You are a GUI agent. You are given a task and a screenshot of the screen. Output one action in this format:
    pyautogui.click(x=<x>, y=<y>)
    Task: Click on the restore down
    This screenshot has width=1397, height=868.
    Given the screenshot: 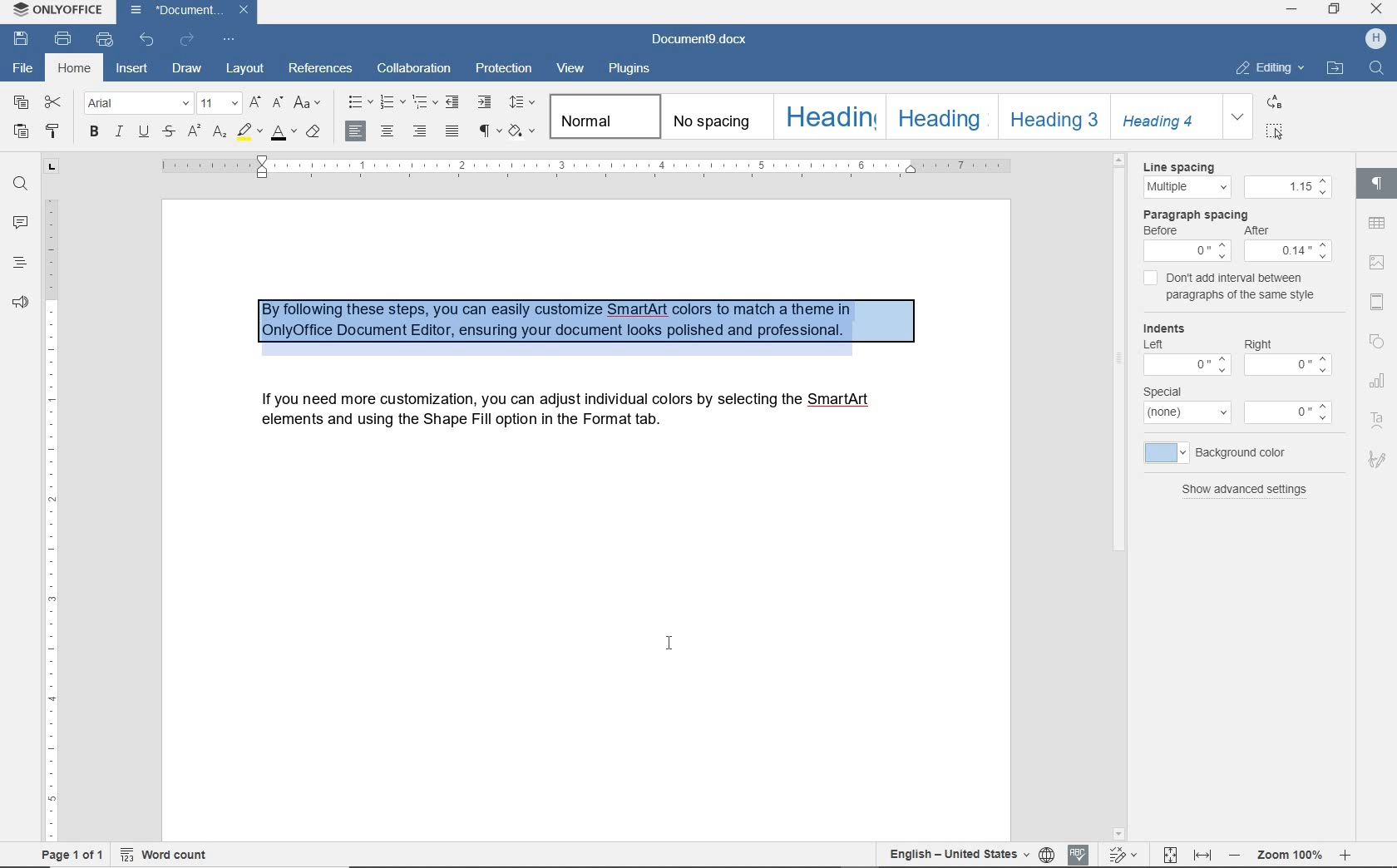 What is the action you would take?
    pyautogui.click(x=1335, y=10)
    